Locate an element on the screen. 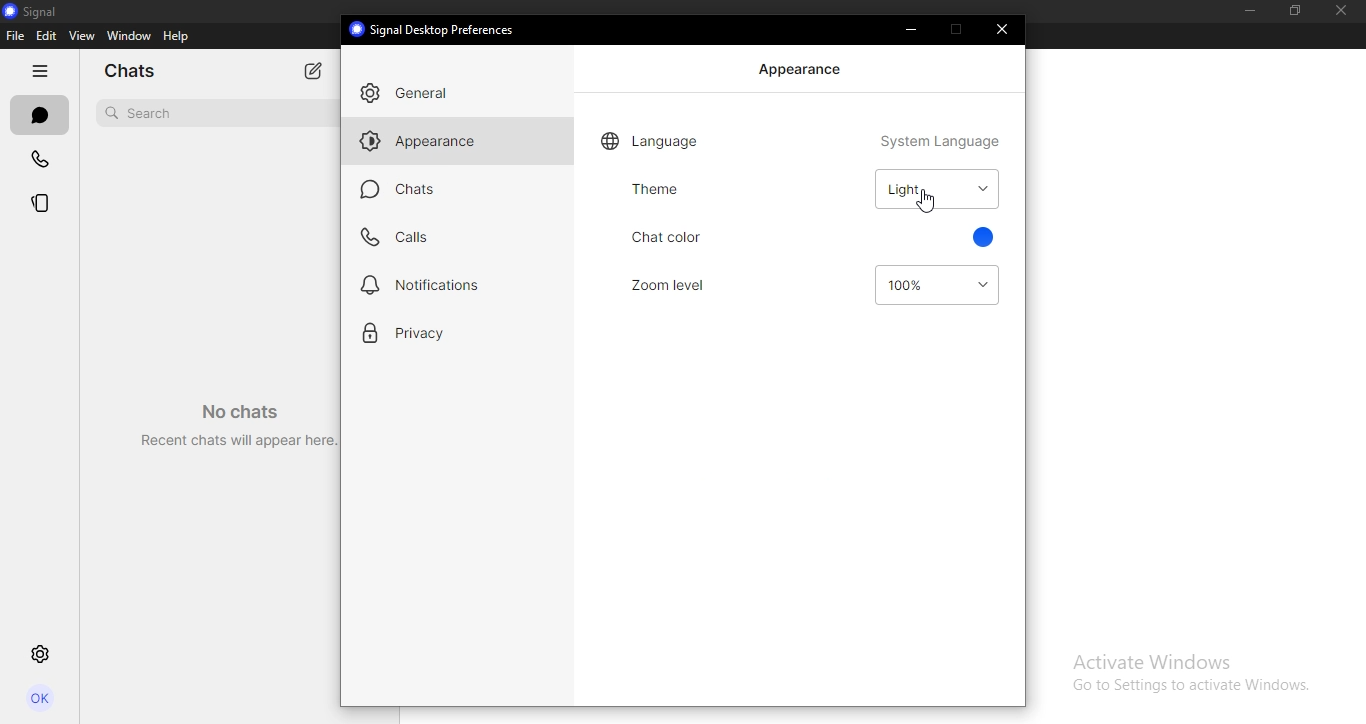 This screenshot has width=1366, height=724. blue is located at coordinates (980, 237).